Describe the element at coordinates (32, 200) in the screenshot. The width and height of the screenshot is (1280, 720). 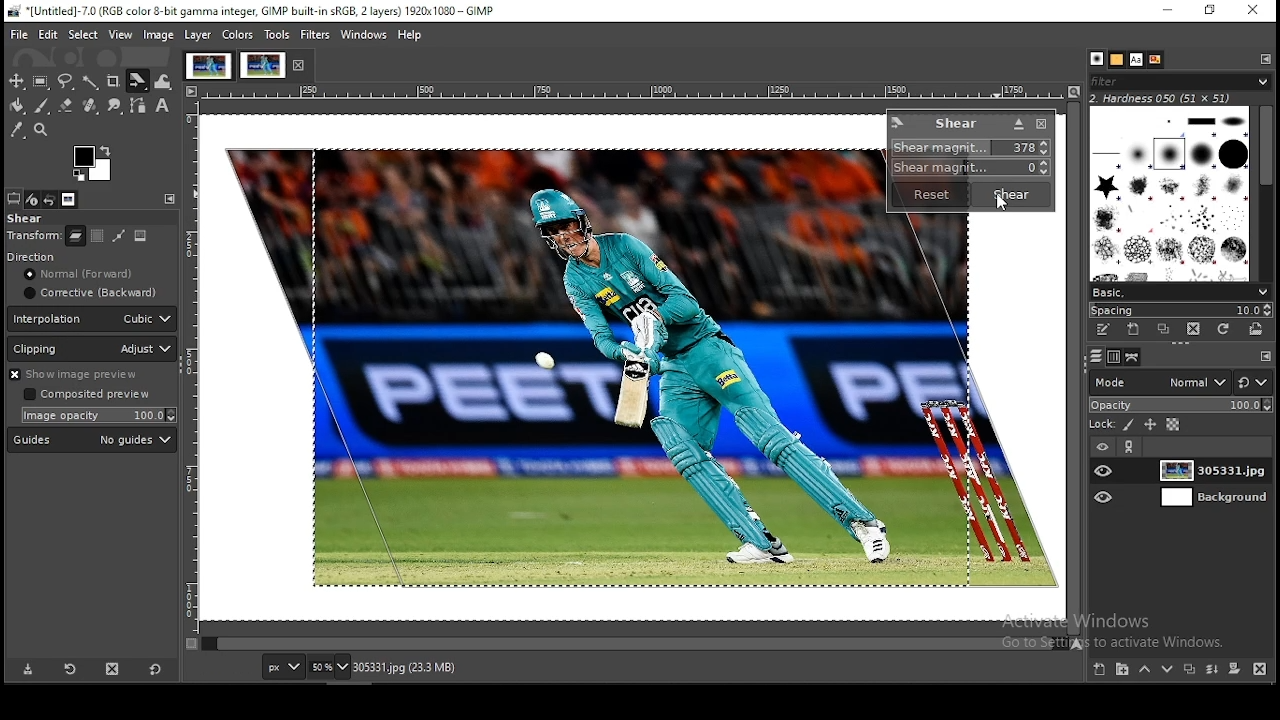
I see `device status` at that location.